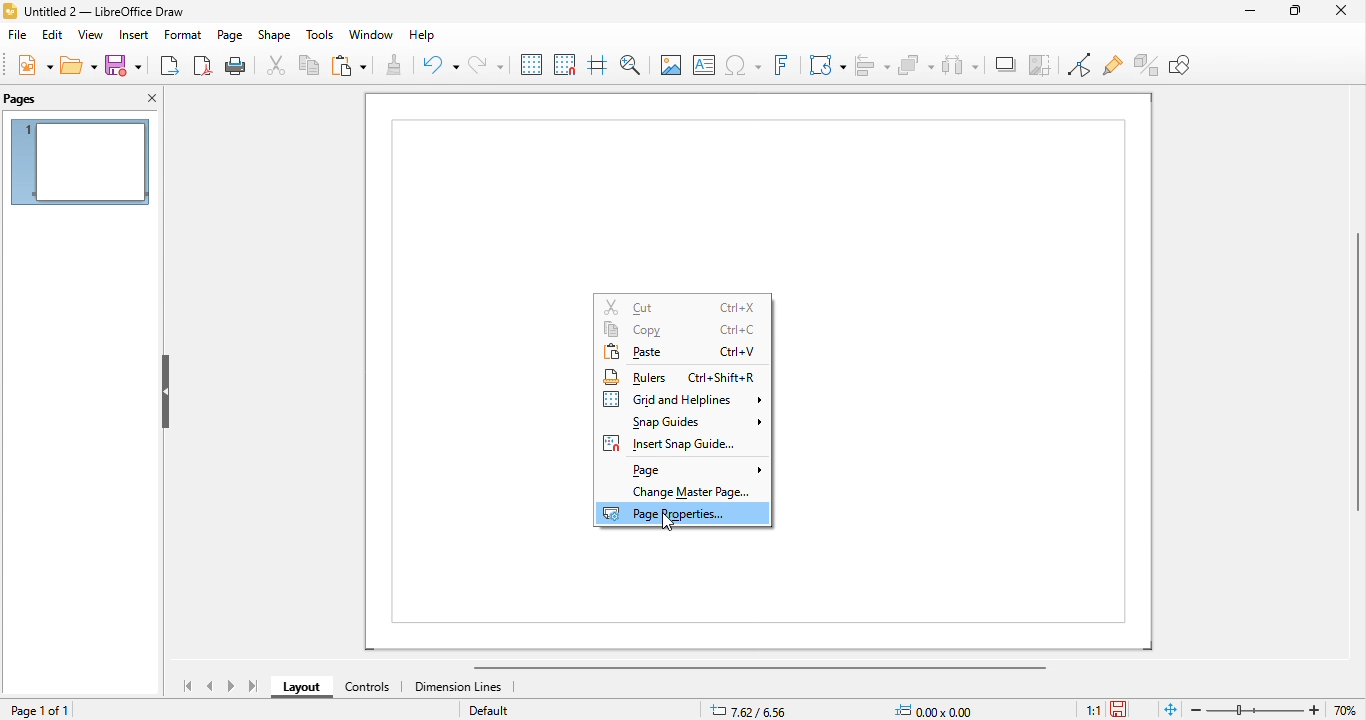 The height and width of the screenshot is (720, 1366). What do you see at coordinates (683, 400) in the screenshot?
I see `grid and helplines` at bounding box center [683, 400].